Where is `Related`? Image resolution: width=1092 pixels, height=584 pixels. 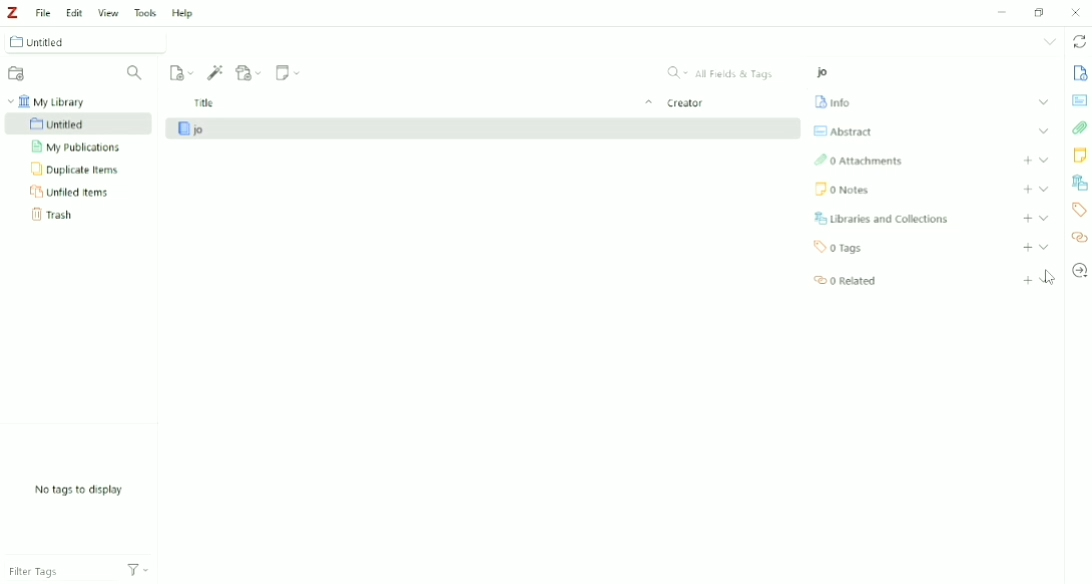 Related is located at coordinates (1079, 237).